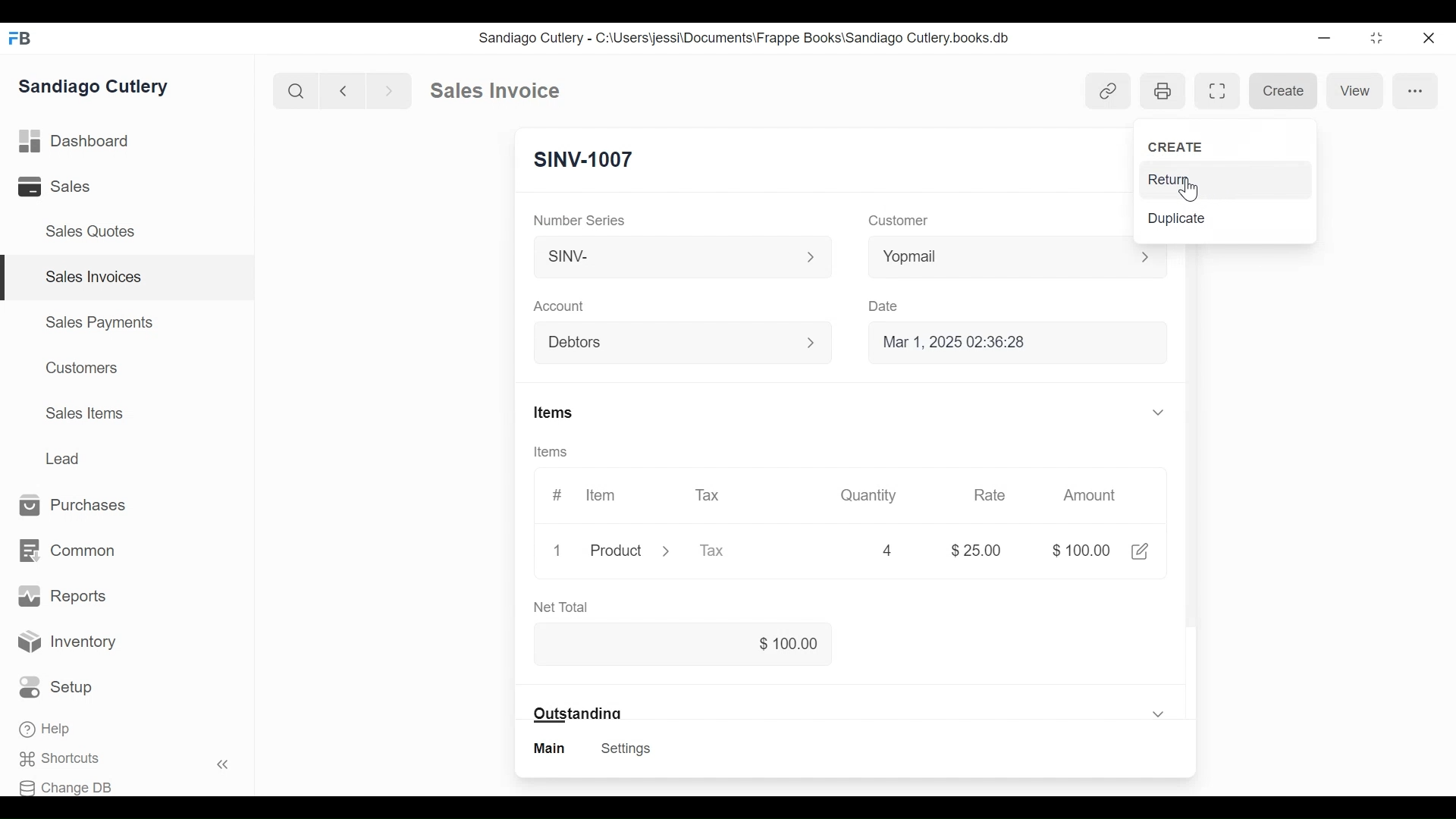 This screenshot has height=819, width=1456. I want to click on Toggle between form and full width, so click(1377, 39).